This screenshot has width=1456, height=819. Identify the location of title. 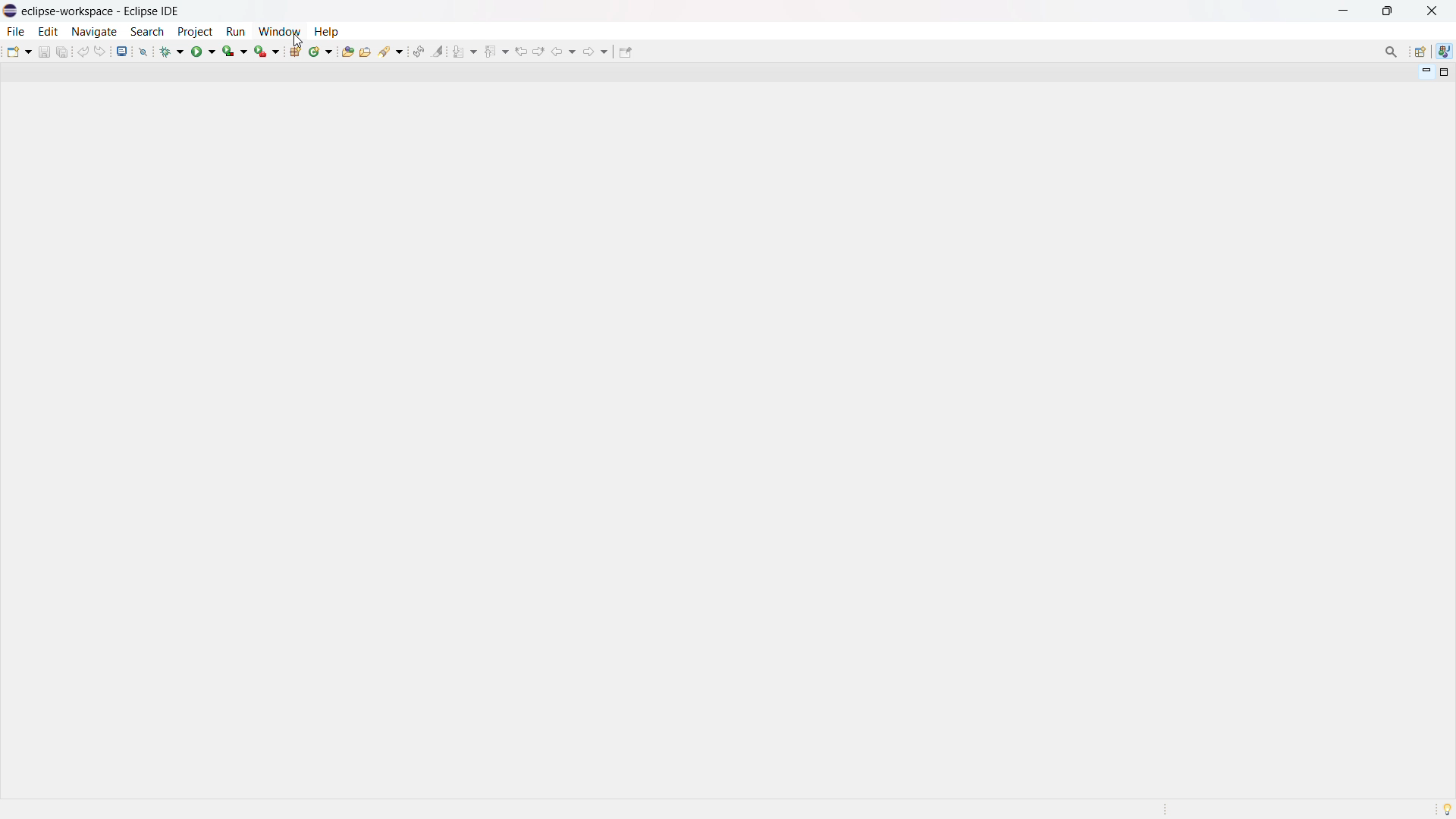
(102, 11).